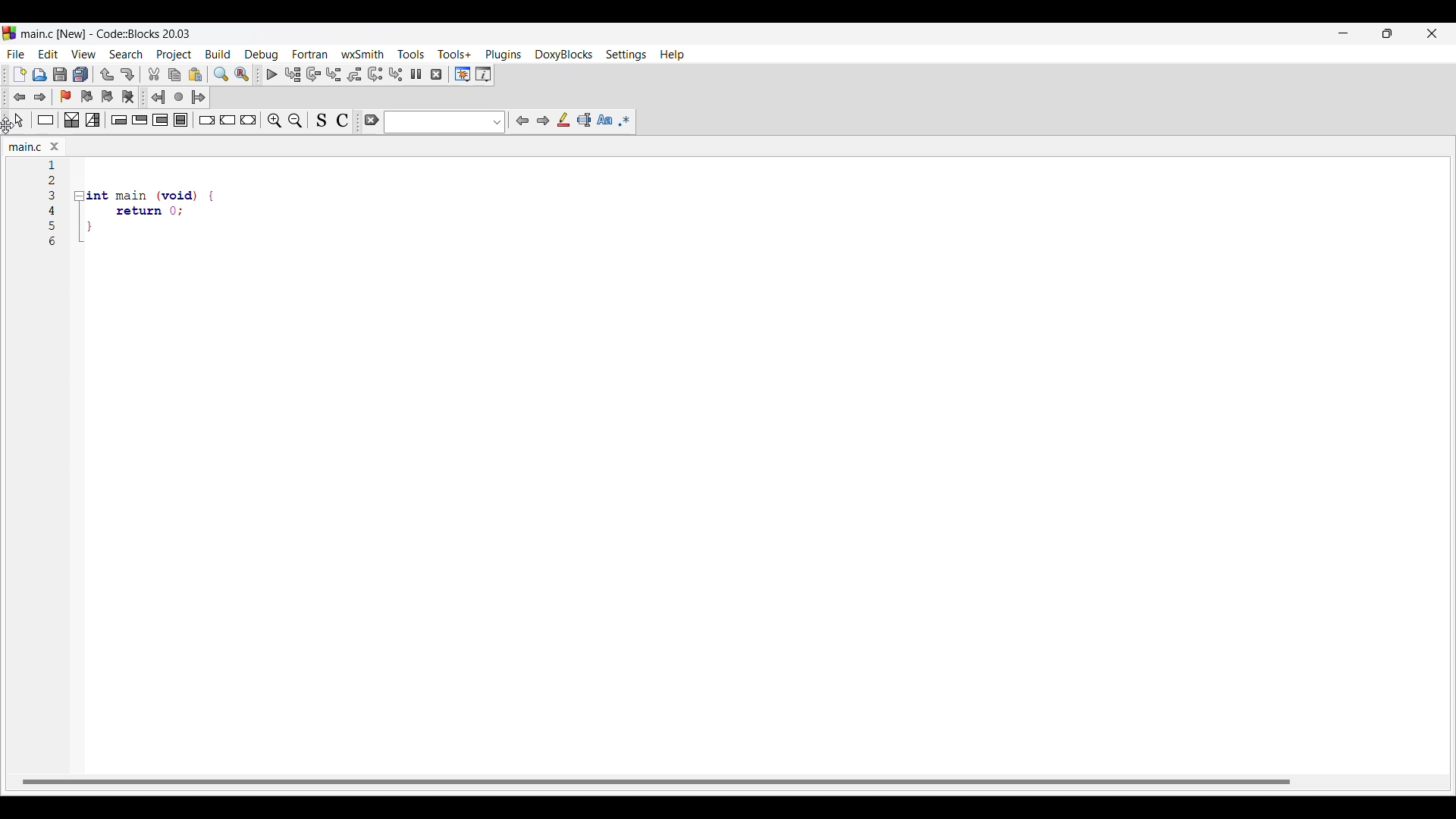  Describe the element at coordinates (54, 210) in the screenshot. I see `` at that location.